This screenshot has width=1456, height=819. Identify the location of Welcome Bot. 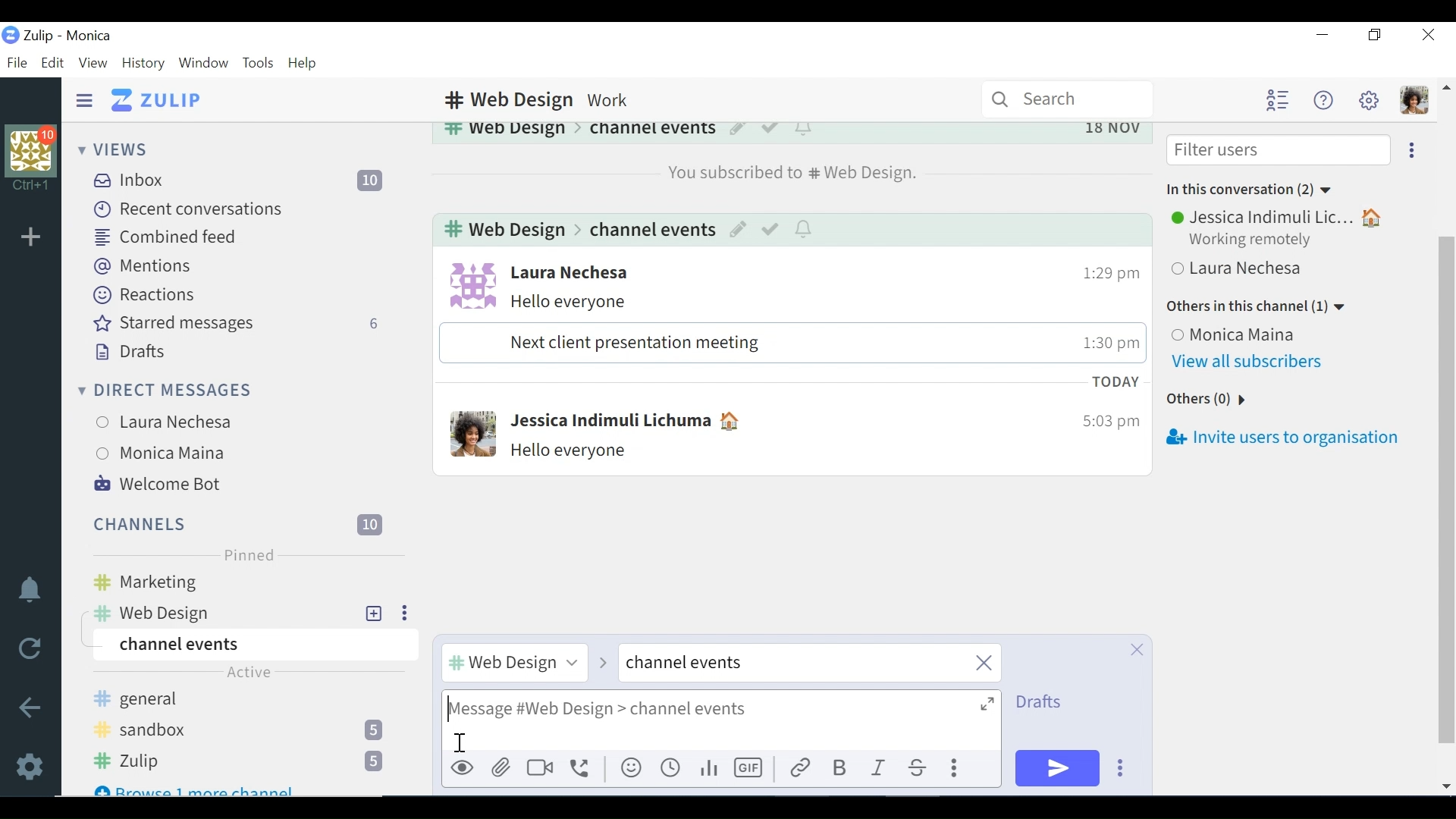
(158, 484).